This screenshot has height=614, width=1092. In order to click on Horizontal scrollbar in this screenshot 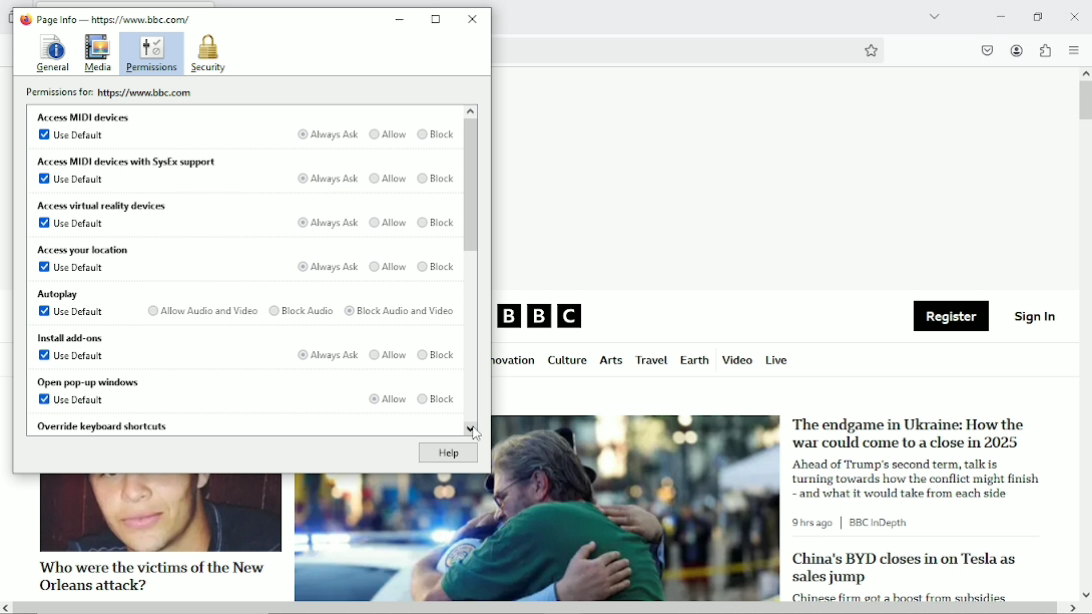, I will do `click(537, 609)`.